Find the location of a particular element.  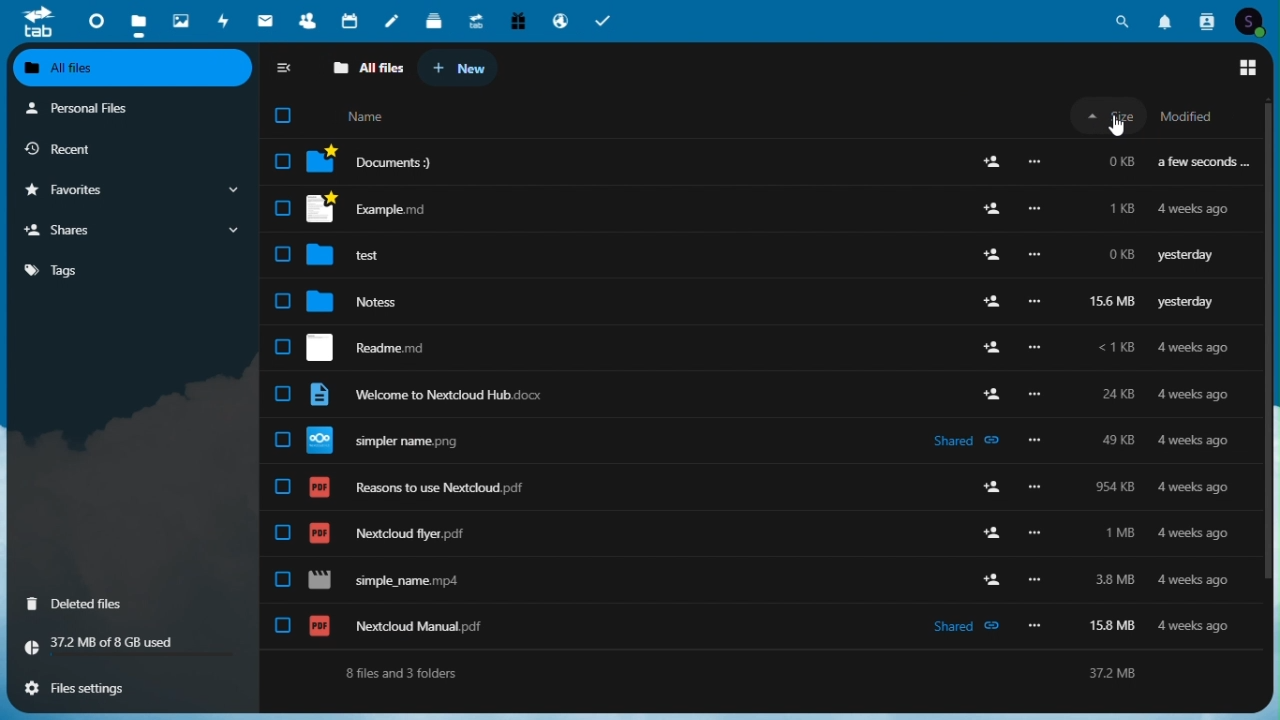

Share is located at coordinates (133, 228).